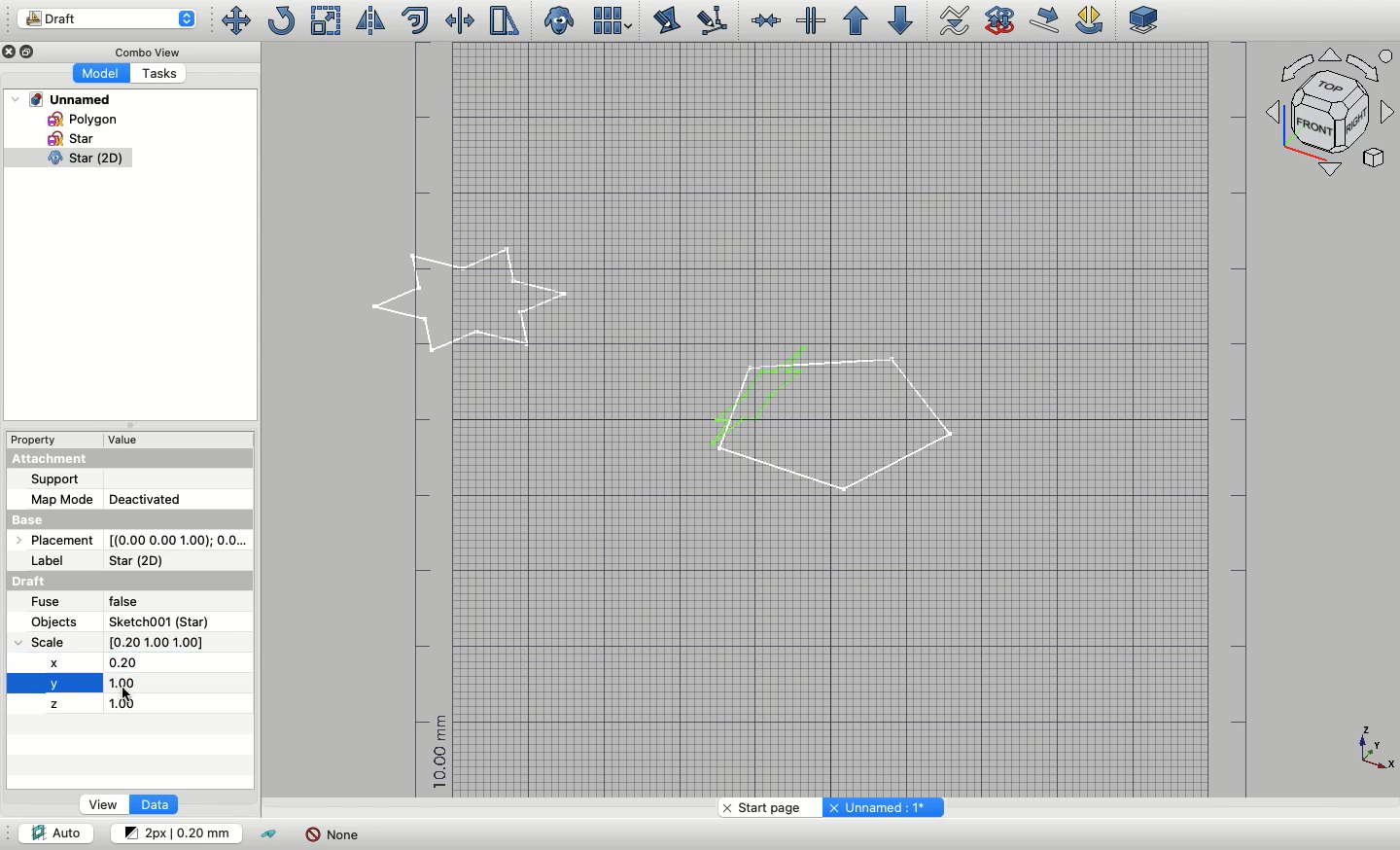 The image size is (1400, 850). Describe the element at coordinates (47, 602) in the screenshot. I see `Fuse` at that location.